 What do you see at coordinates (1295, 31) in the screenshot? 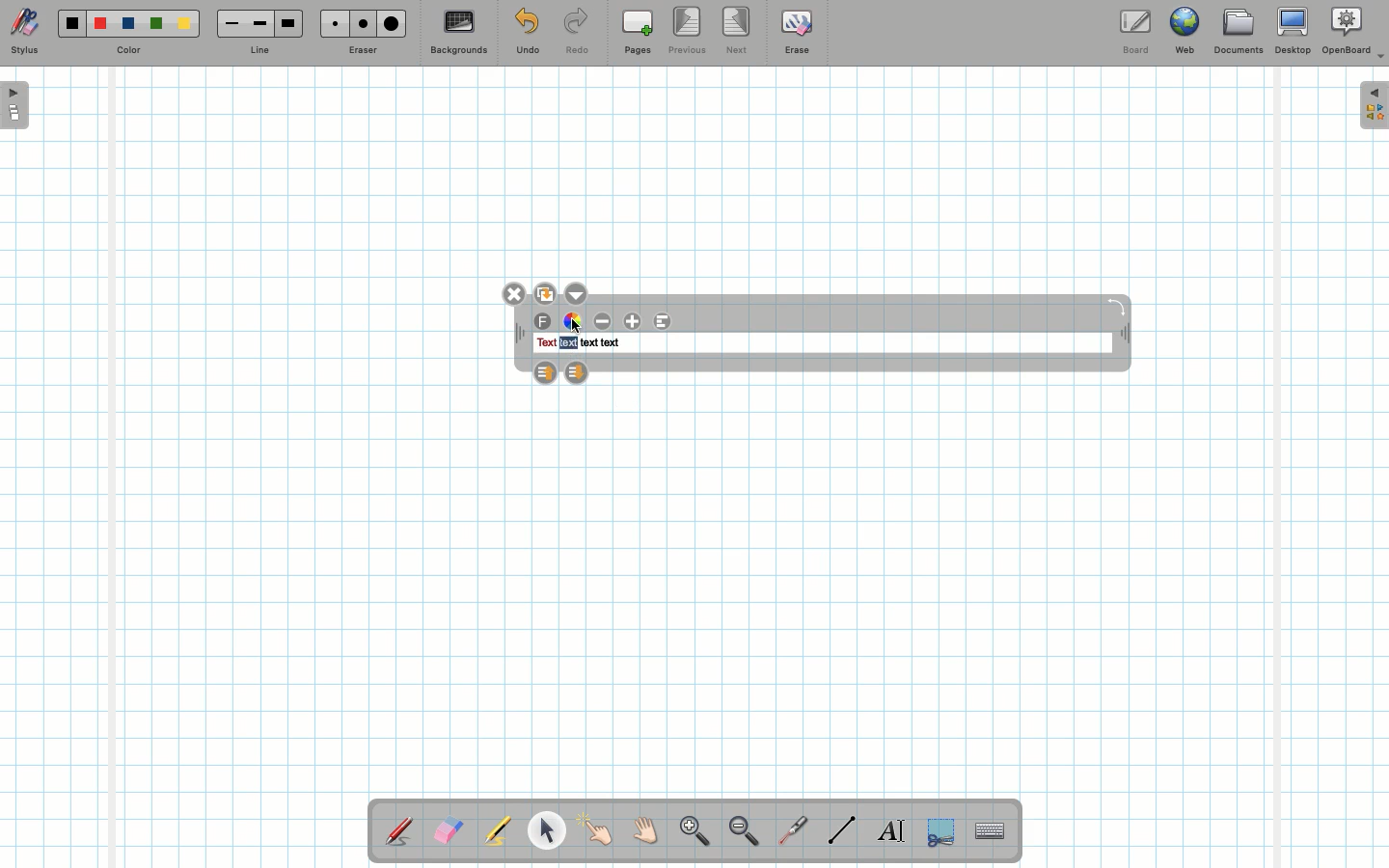
I see `Desktop` at bounding box center [1295, 31].